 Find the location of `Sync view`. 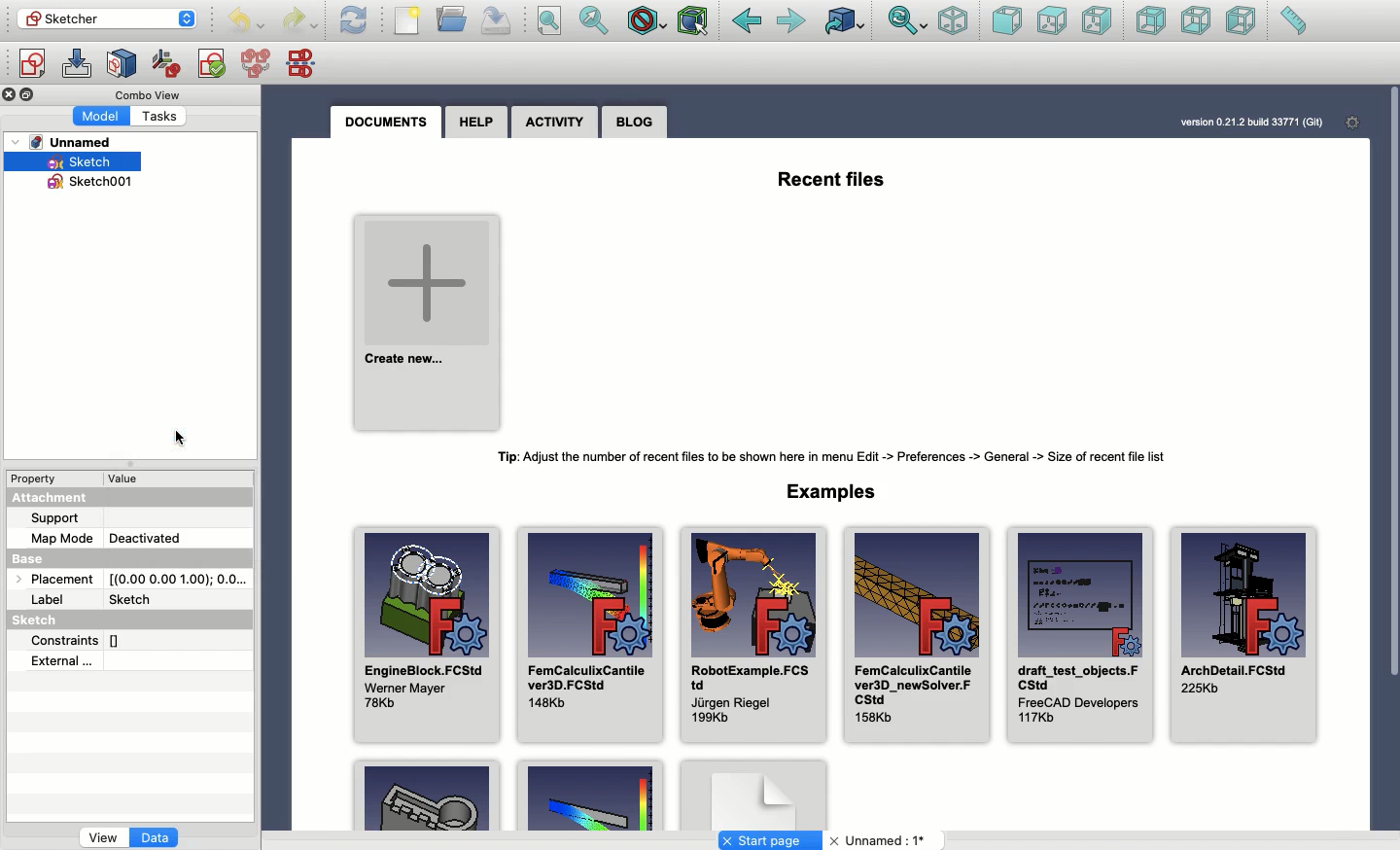

Sync view is located at coordinates (908, 22).